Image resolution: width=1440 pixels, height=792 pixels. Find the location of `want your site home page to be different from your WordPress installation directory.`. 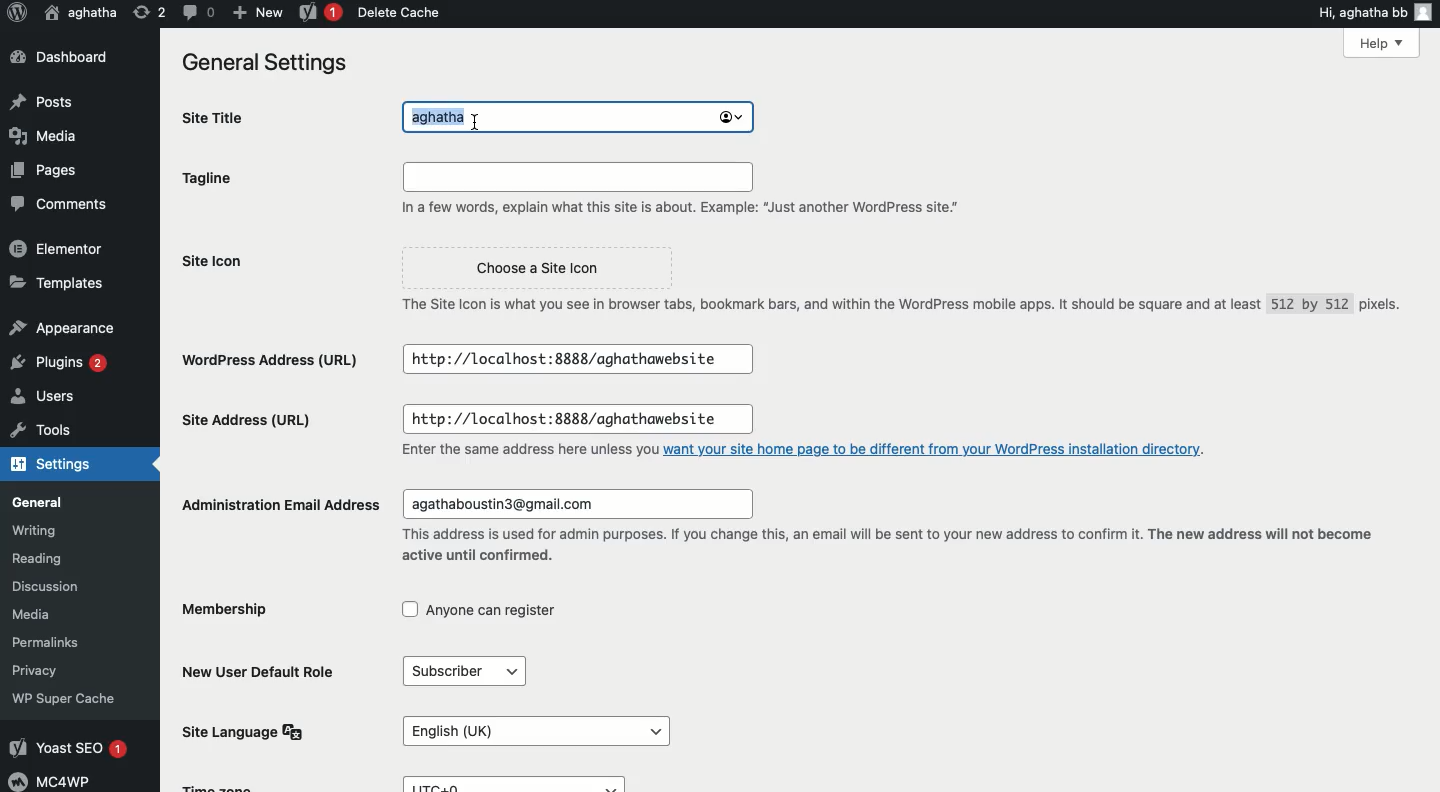

want your site home page to be different from your WordPress installation directory. is located at coordinates (940, 450).